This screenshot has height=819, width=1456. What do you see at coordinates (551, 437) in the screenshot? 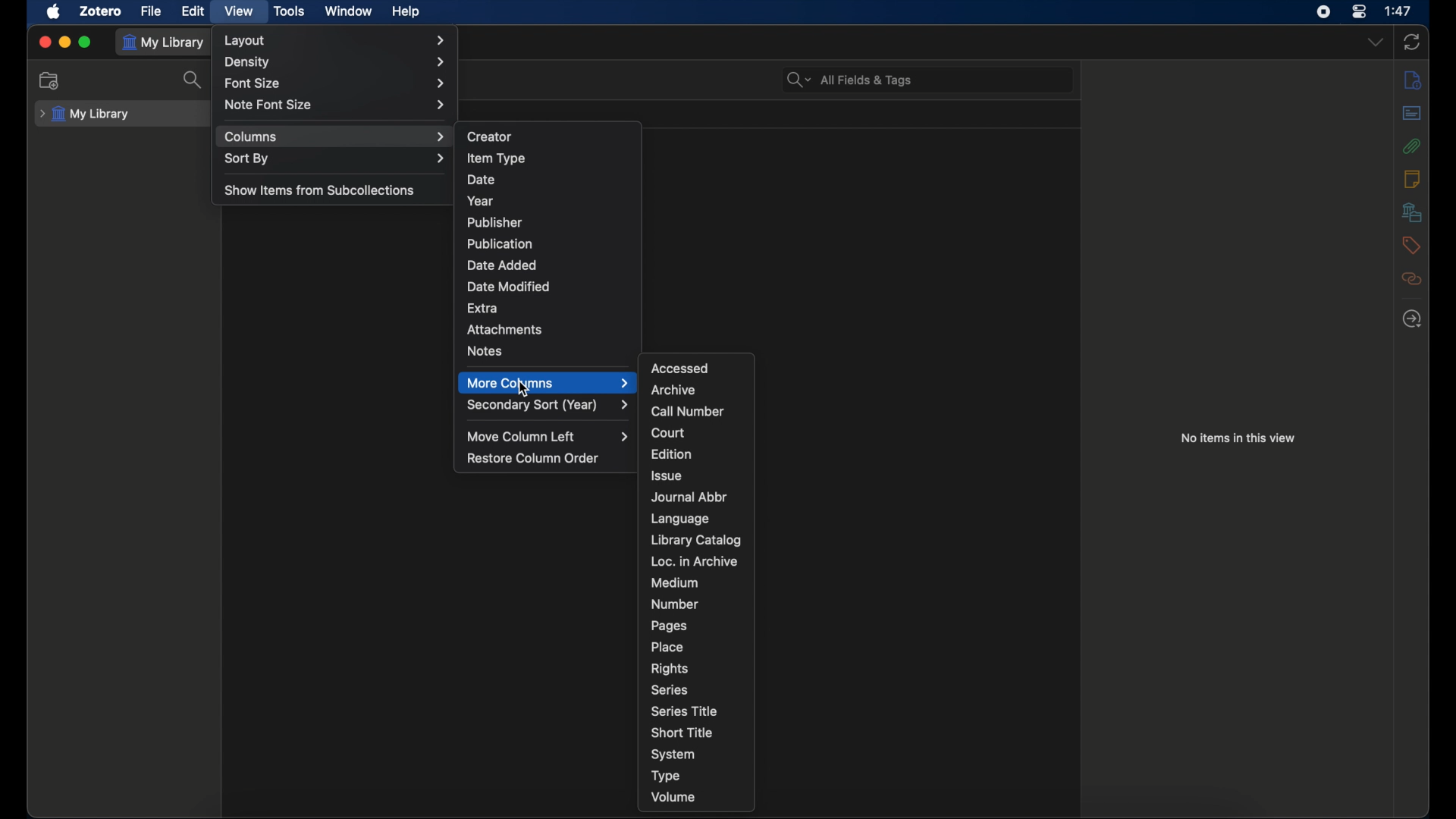
I see `move column left` at bounding box center [551, 437].